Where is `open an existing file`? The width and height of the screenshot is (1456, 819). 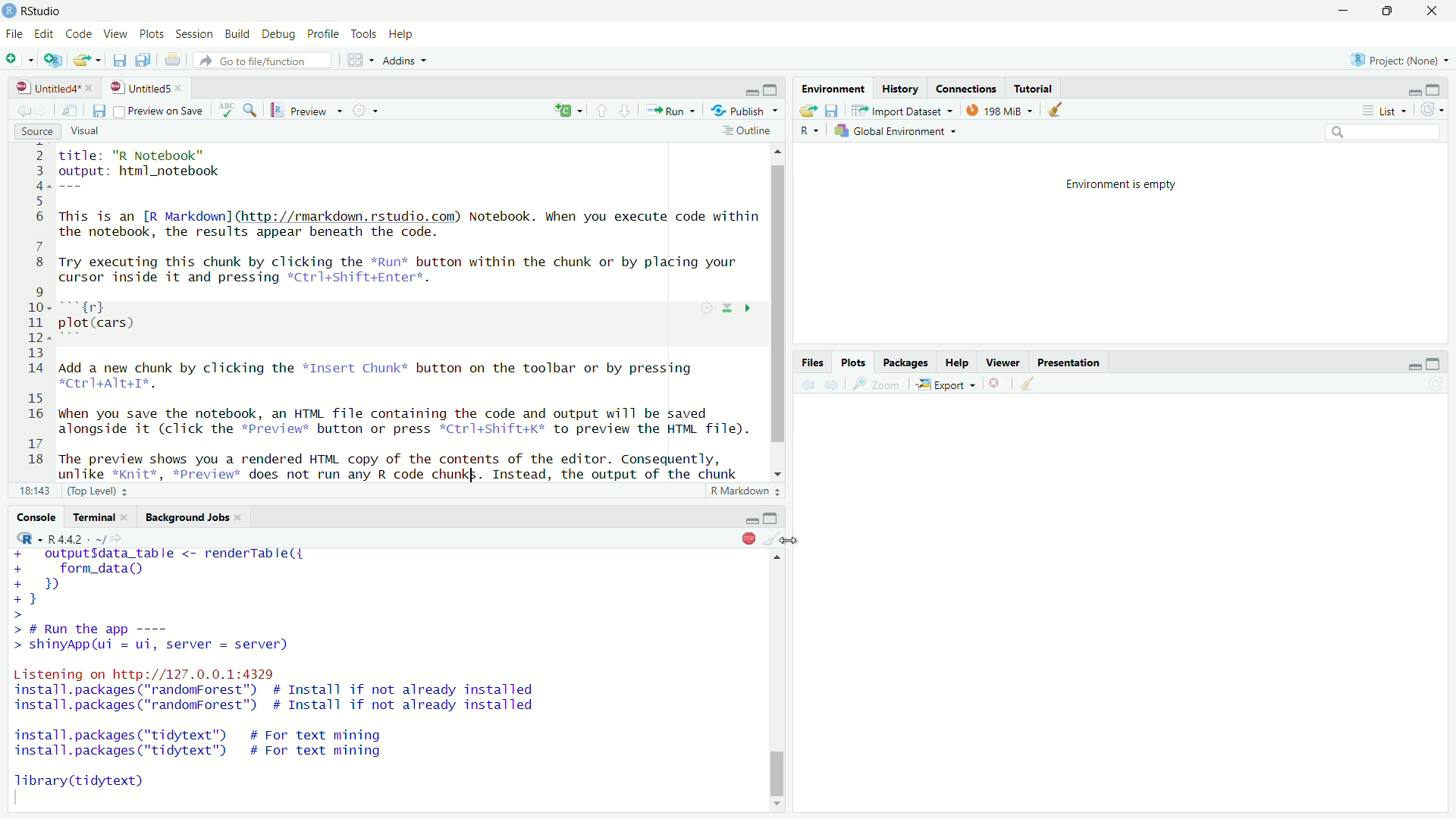
open an existing file is located at coordinates (88, 60).